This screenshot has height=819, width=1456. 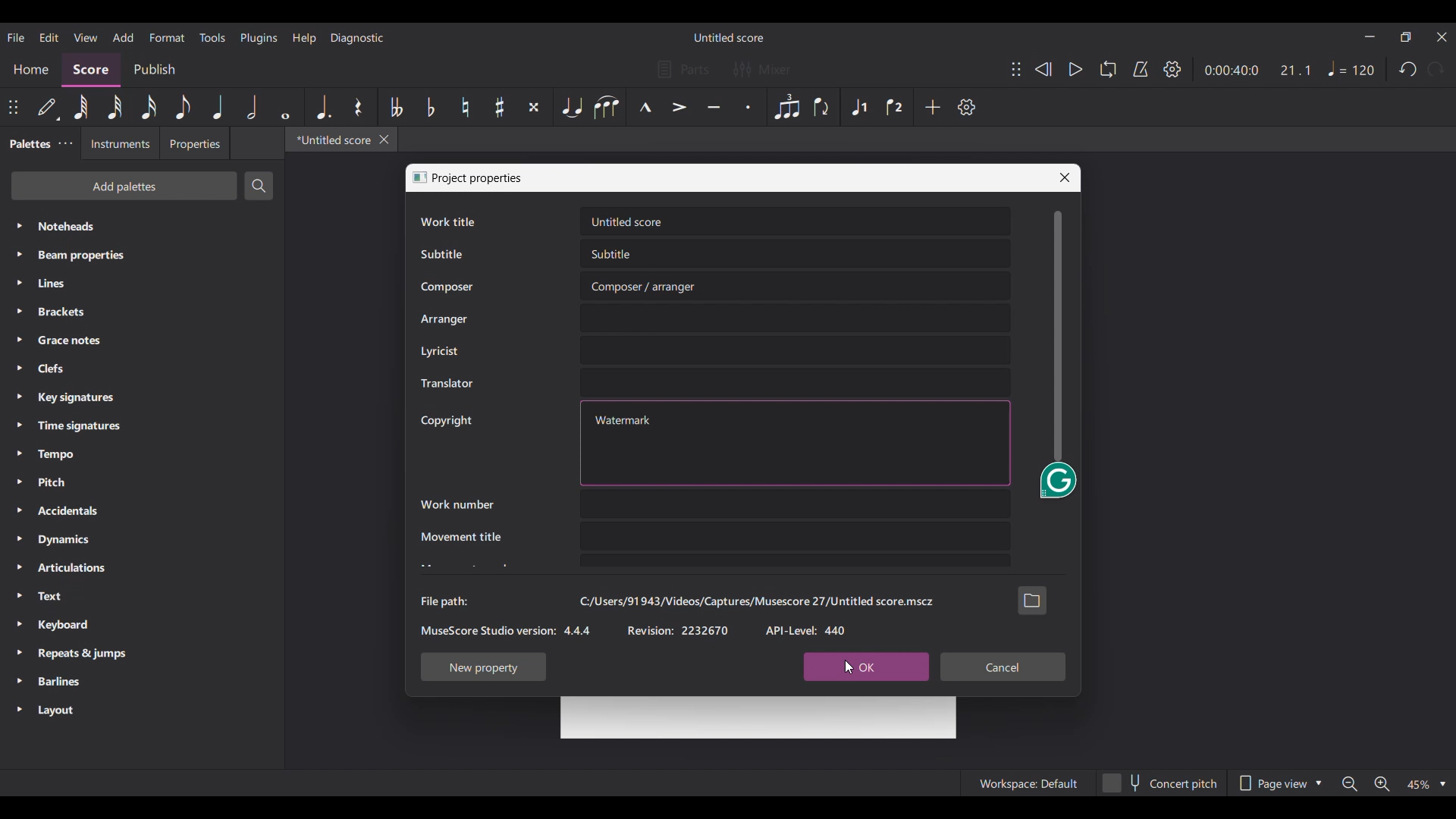 What do you see at coordinates (1370, 36) in the screenshot?
I see `Minimize` at bounding box center [1370, 36].